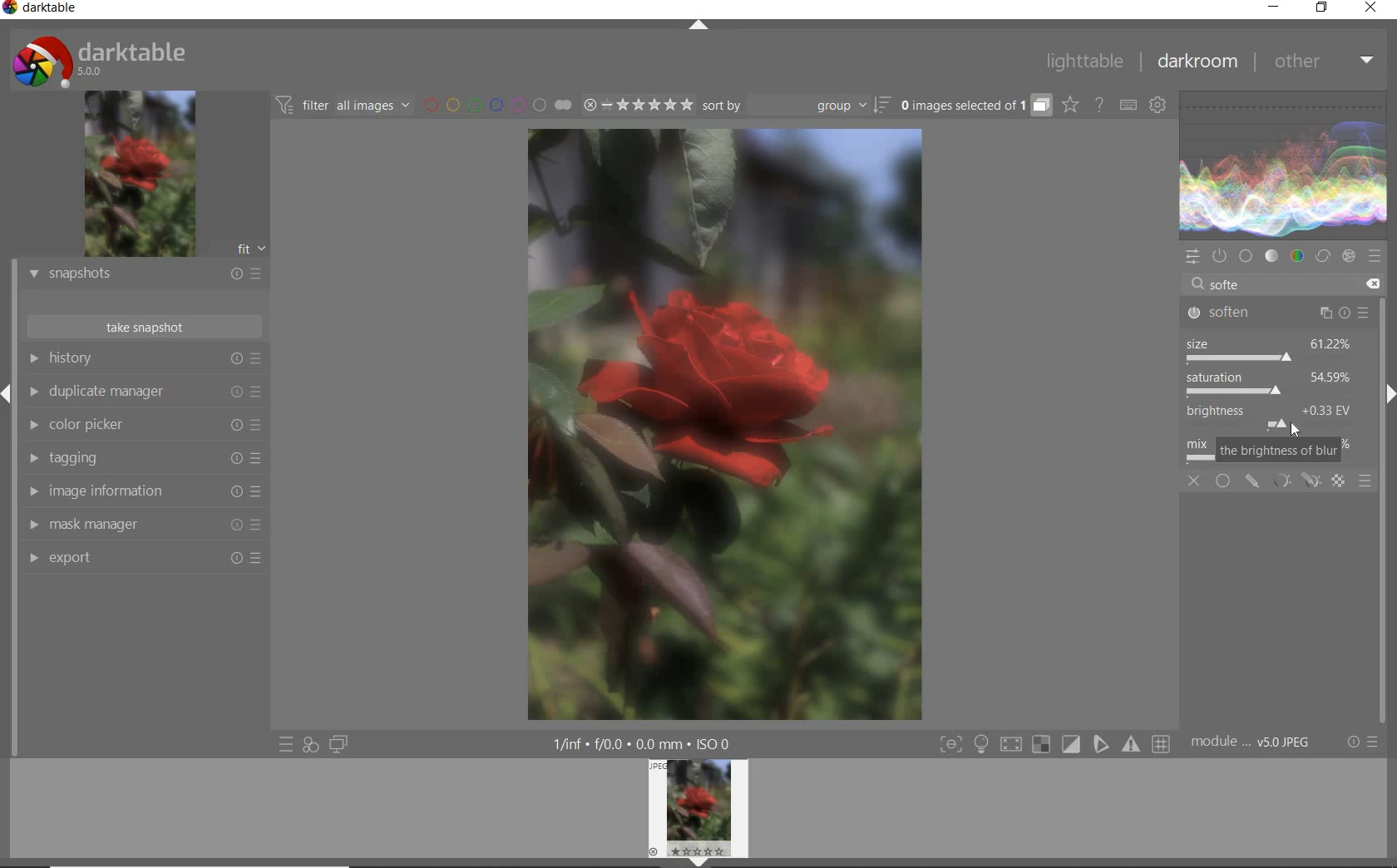  What do you see at coordinates (1218, 254) in the screenshot?
I see `show only active modules` at bounding box center [1218, 254].